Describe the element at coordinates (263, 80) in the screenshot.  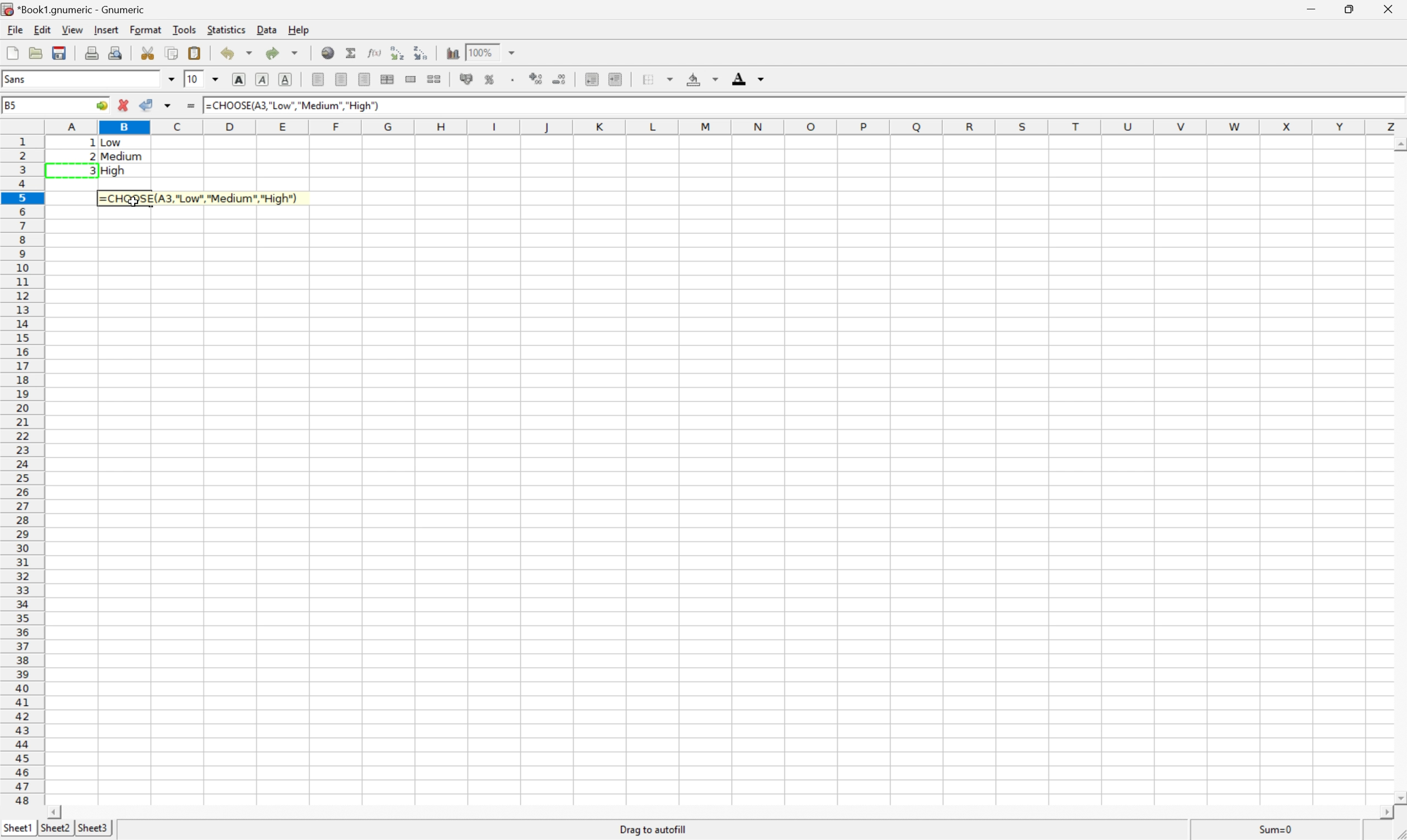
I see `Italic` at that location.